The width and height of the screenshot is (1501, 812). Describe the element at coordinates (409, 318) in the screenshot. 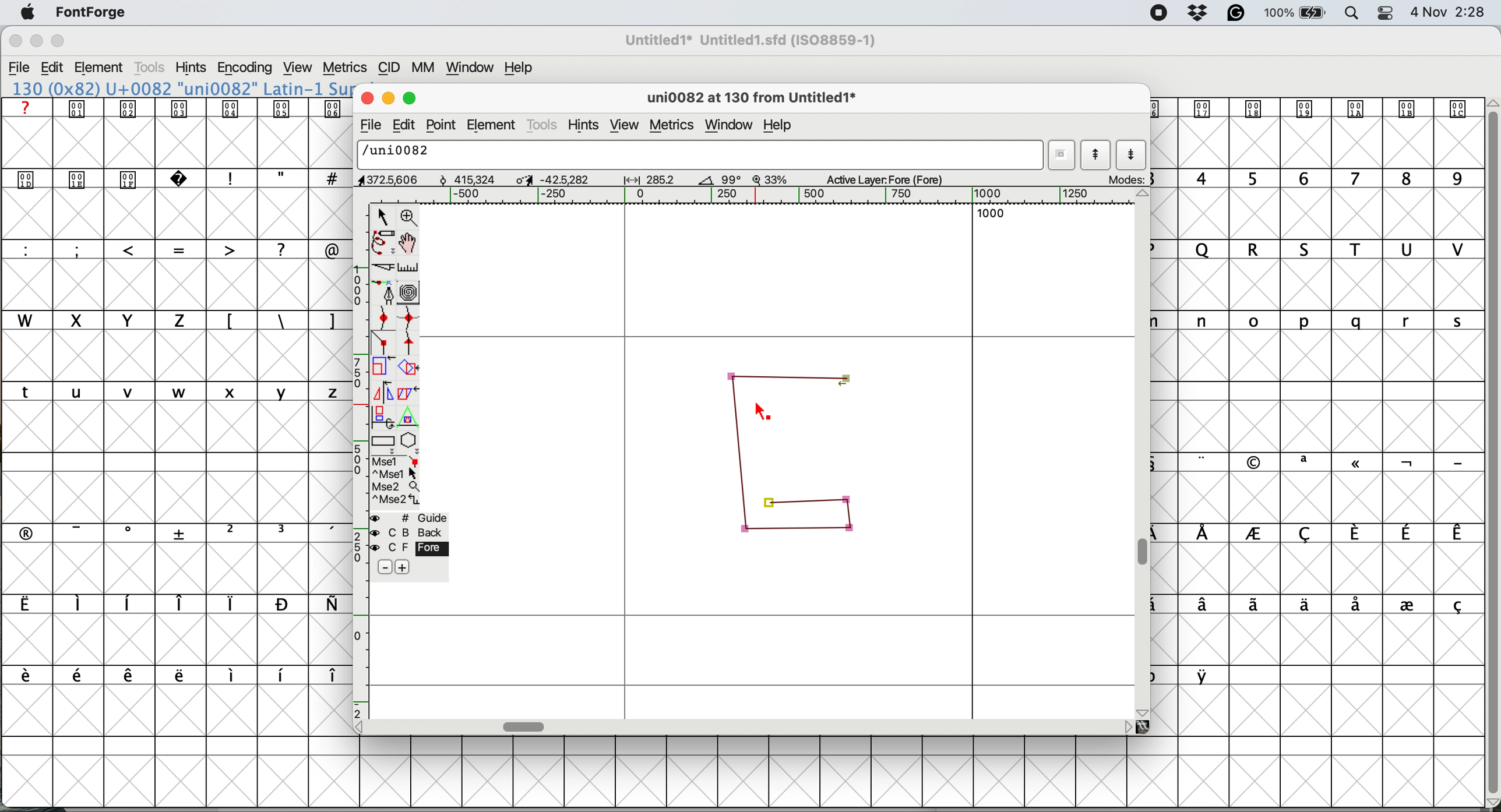

I see `add a curve point horizontal or vertical` at that location.